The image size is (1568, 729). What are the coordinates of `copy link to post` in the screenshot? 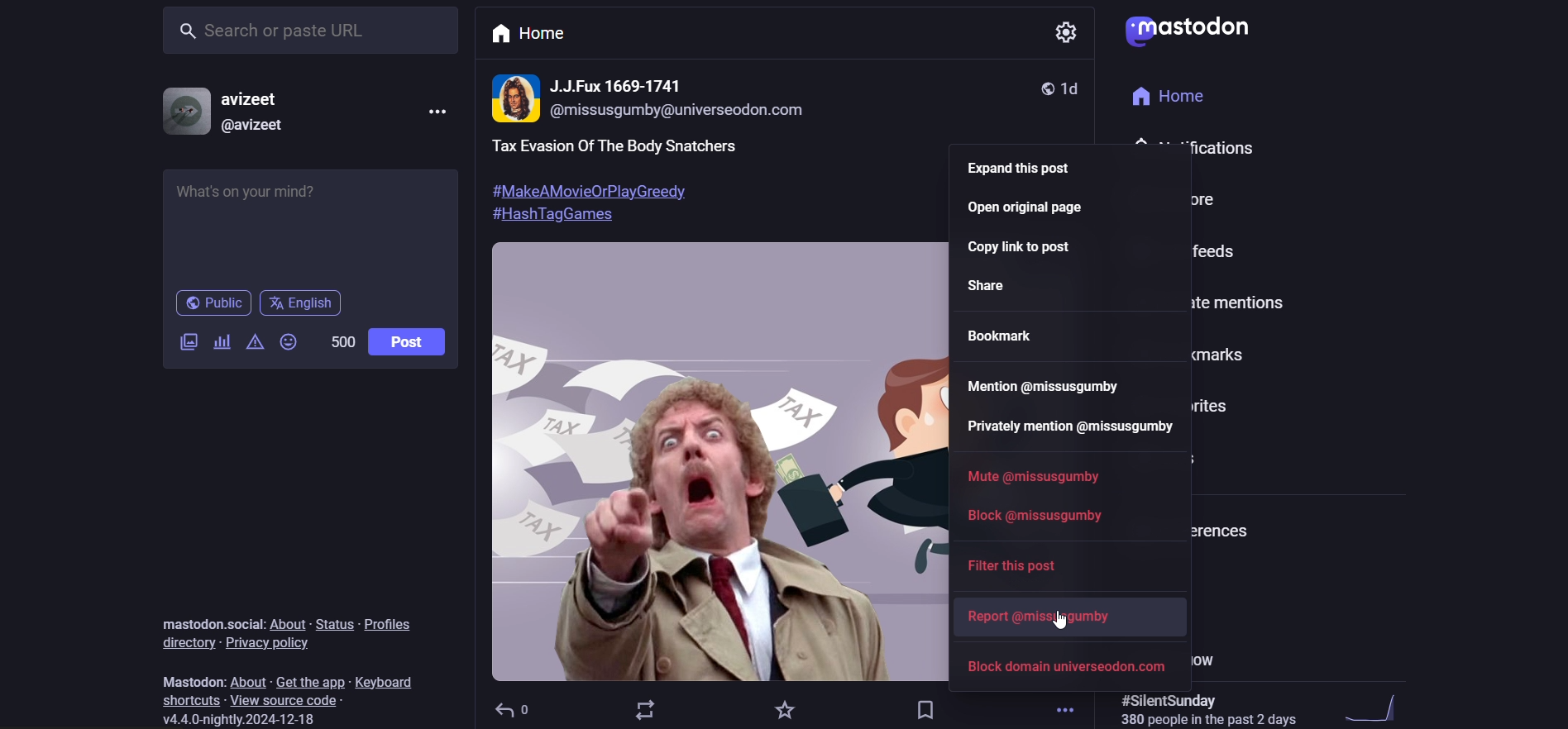 It's located at (1021, 245).